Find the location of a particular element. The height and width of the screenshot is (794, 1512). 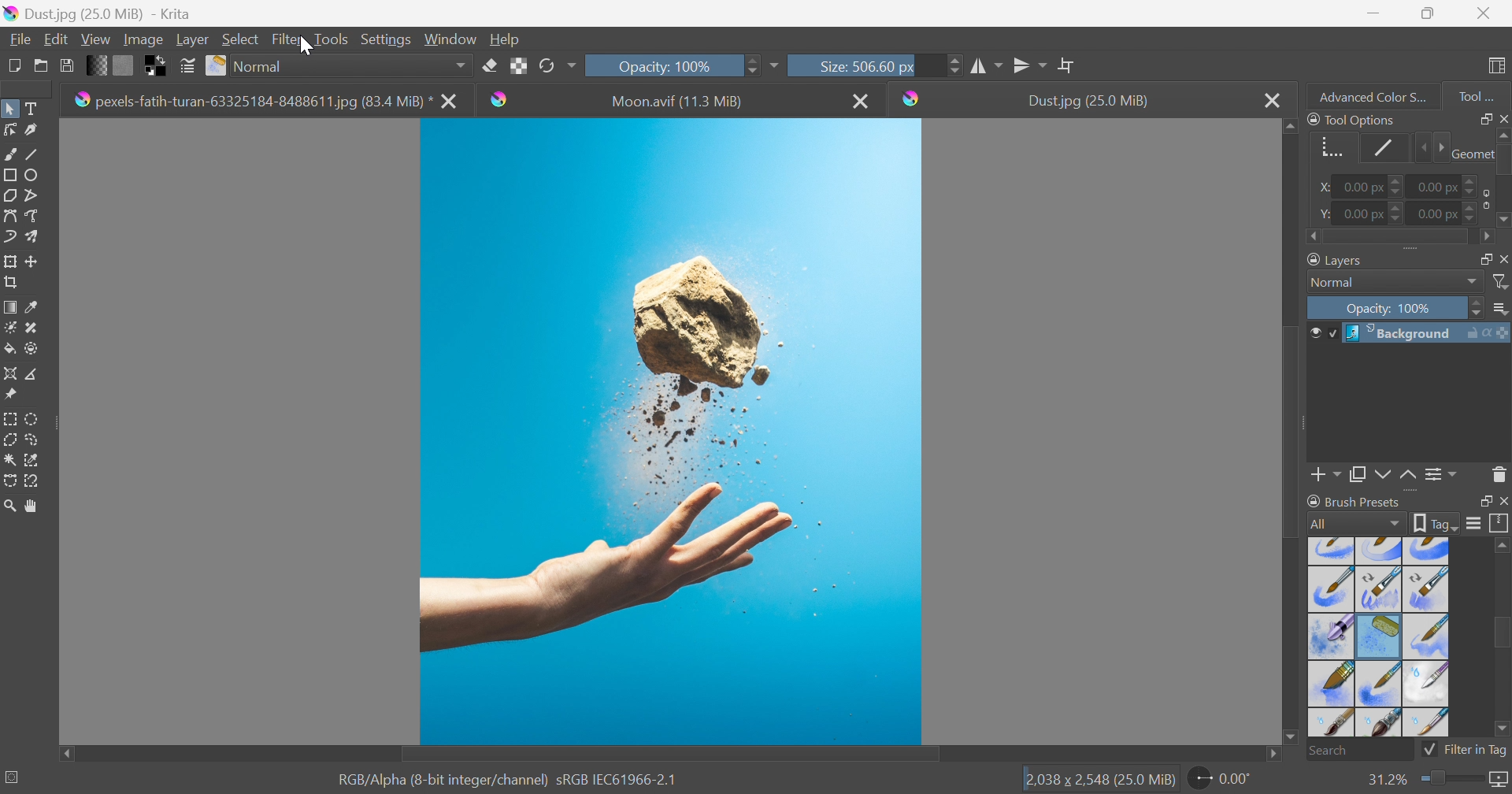

Crop the image to an area is located at coordinates (13, 284).